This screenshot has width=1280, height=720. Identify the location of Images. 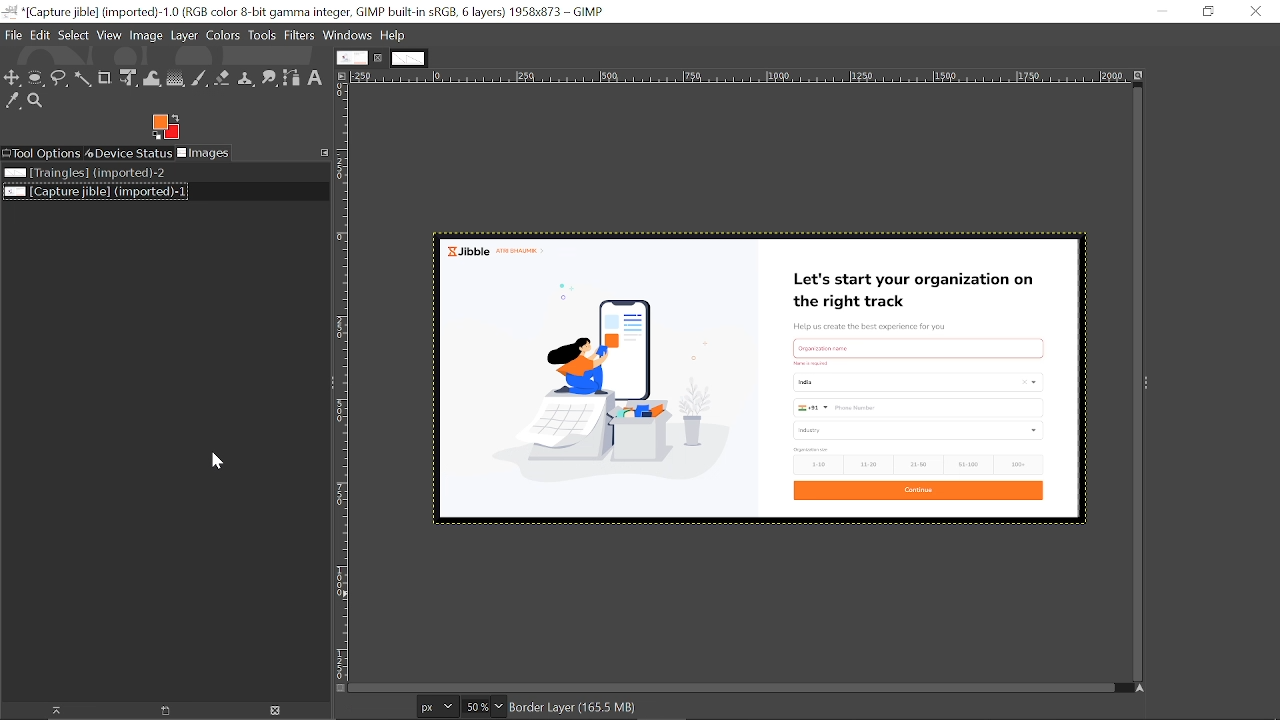
(205, 153).